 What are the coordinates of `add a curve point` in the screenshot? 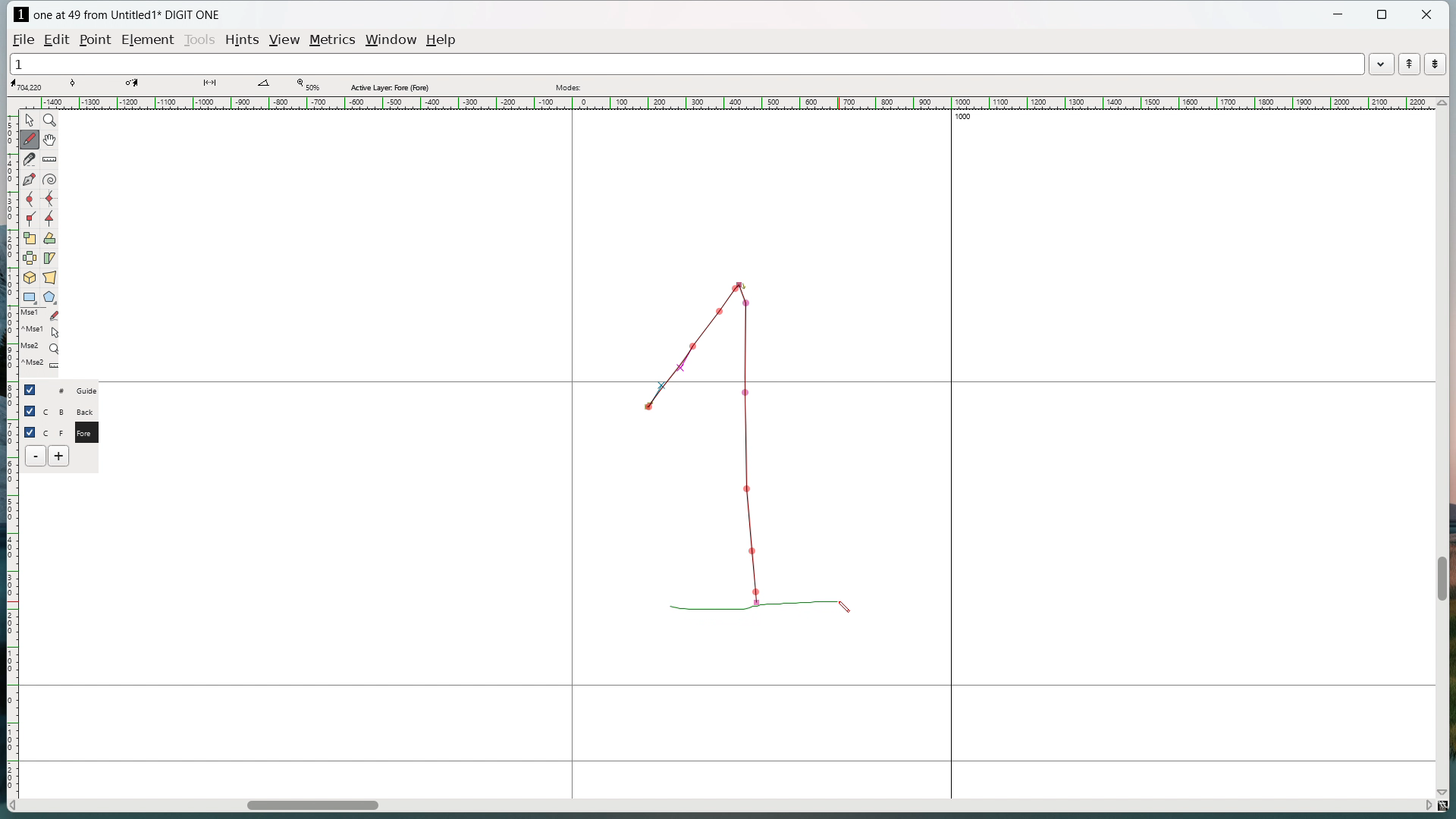 It's located at (30, 199).